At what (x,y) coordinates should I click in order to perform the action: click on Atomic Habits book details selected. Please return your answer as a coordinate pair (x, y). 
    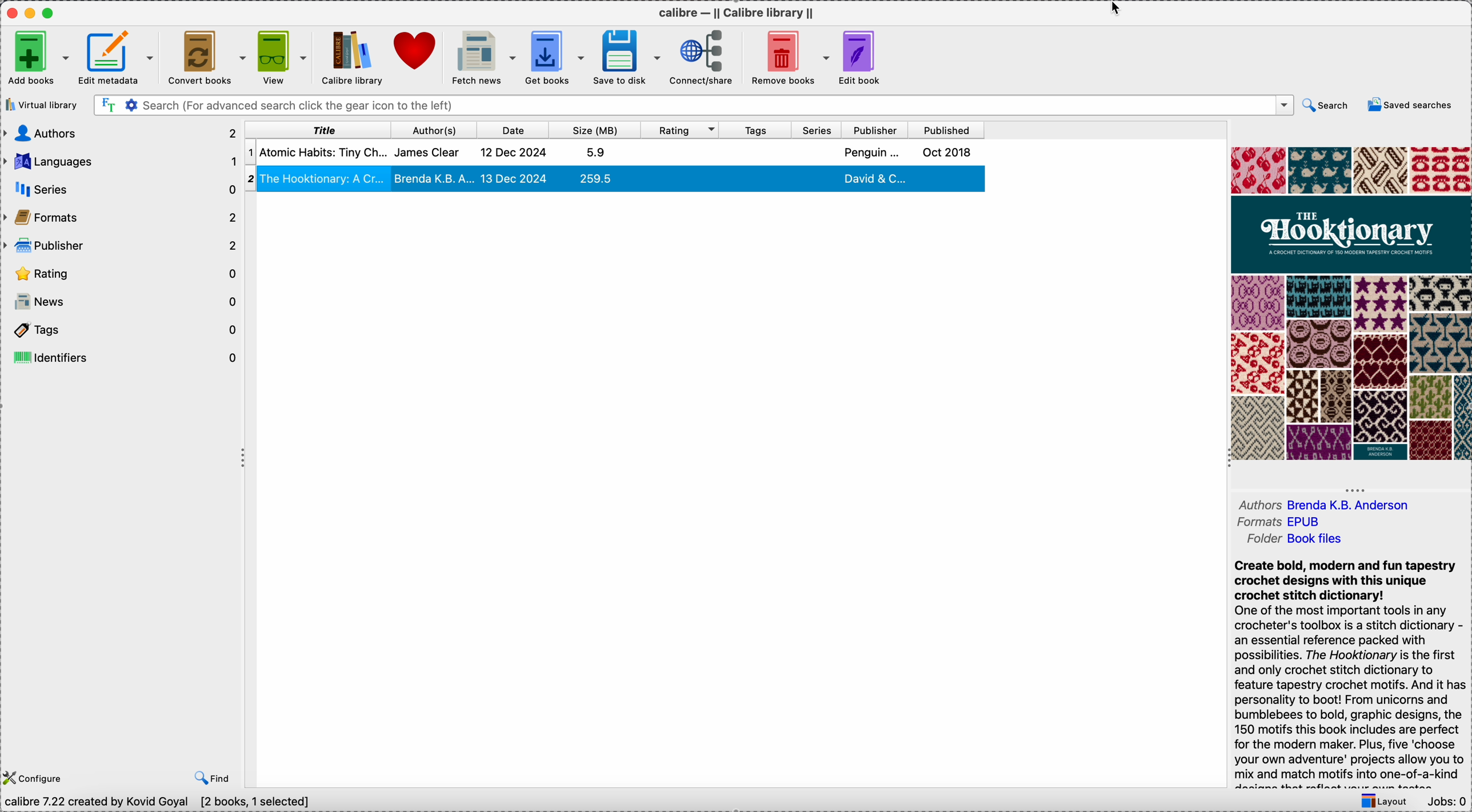
    Looking at the image, I should click on (619, 155).